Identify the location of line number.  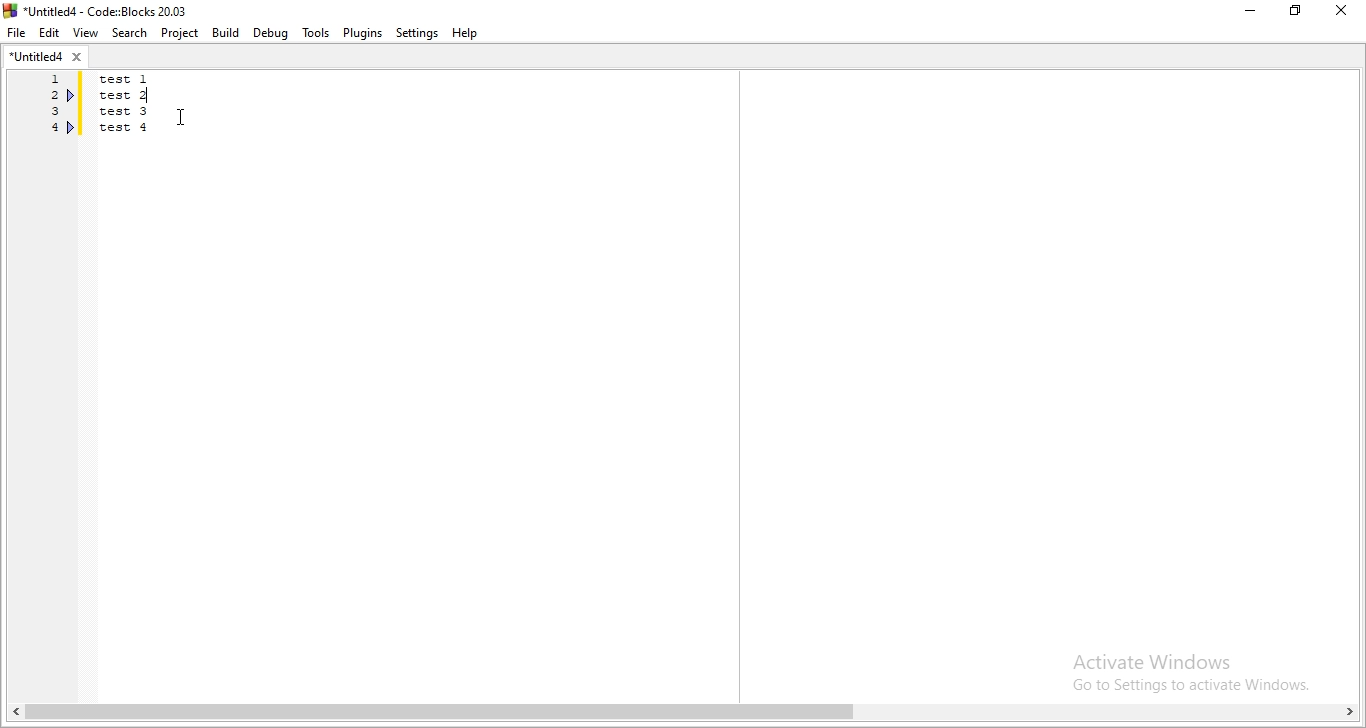
(50, 107).